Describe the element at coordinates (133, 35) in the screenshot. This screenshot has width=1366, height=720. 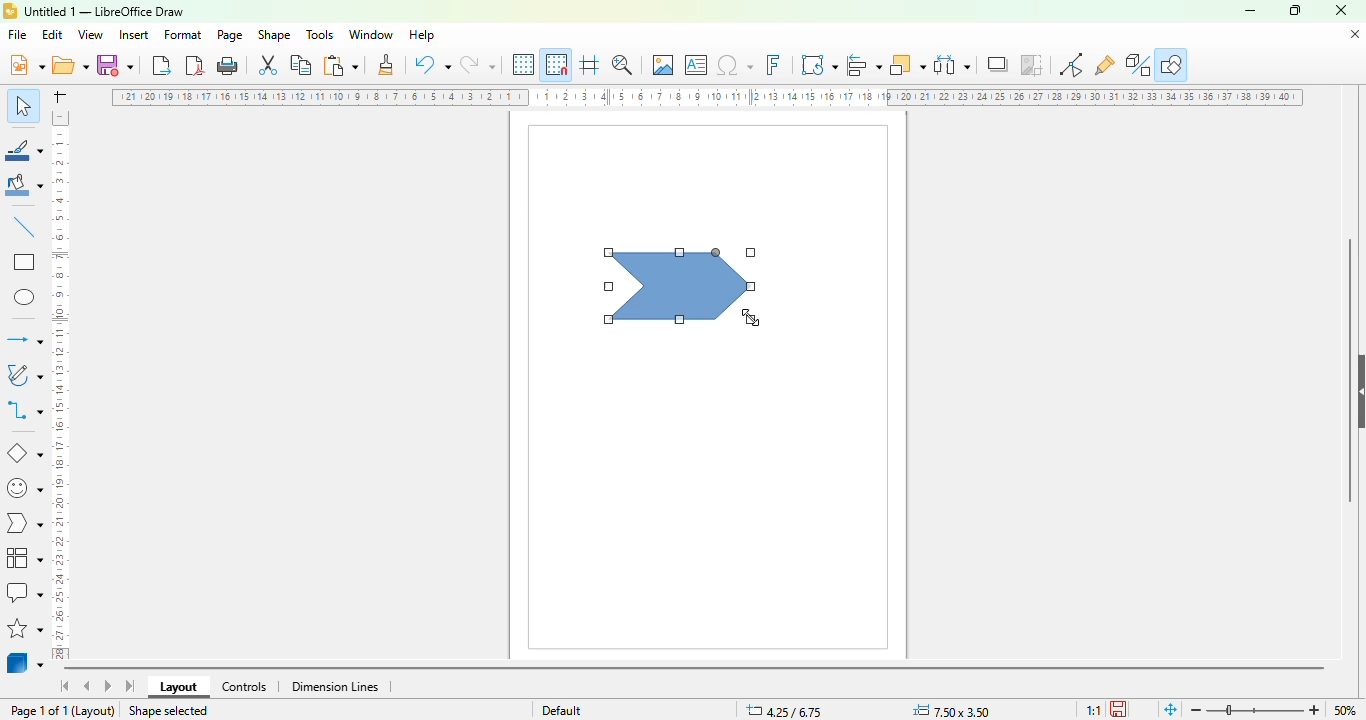
I see `insert` at that location.